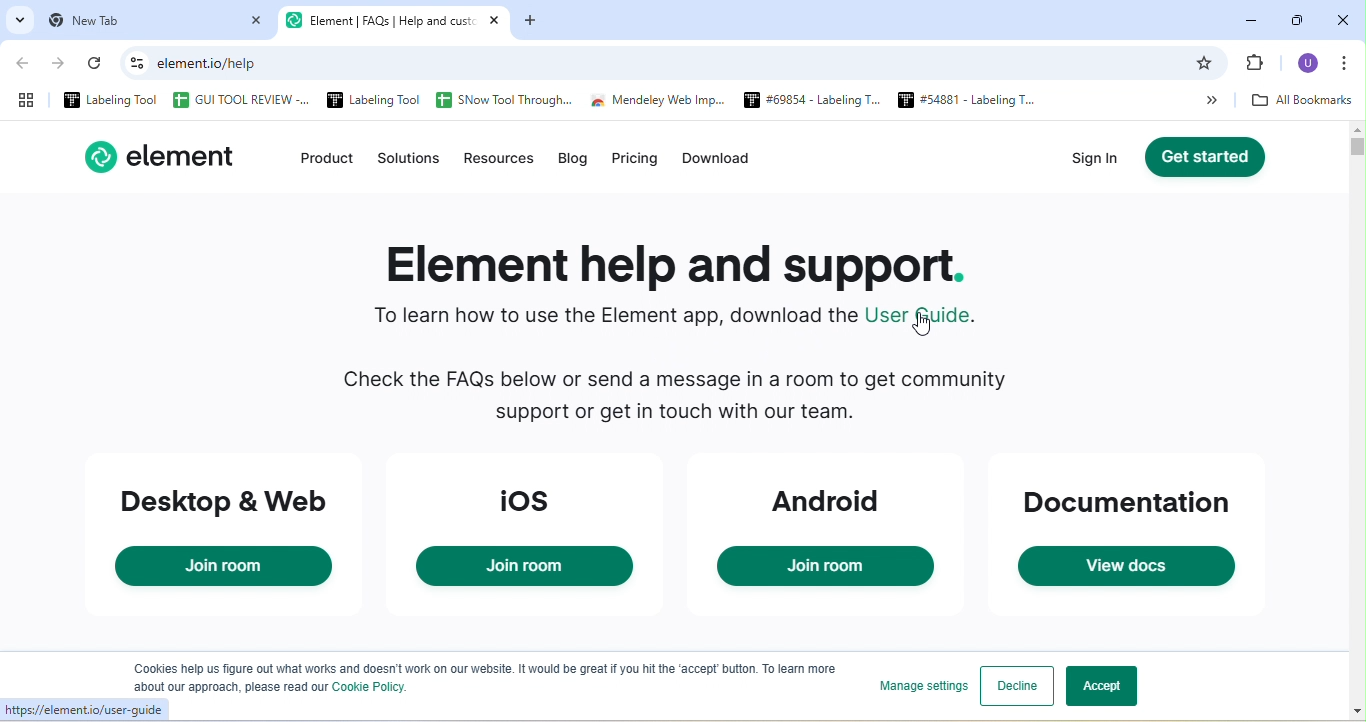 The width and height of the screenshot is (1366, 722). What do you see at coordinates (727, 265) in the screenshot?
I see `Element help and support.` at bounding box center [727, 265].